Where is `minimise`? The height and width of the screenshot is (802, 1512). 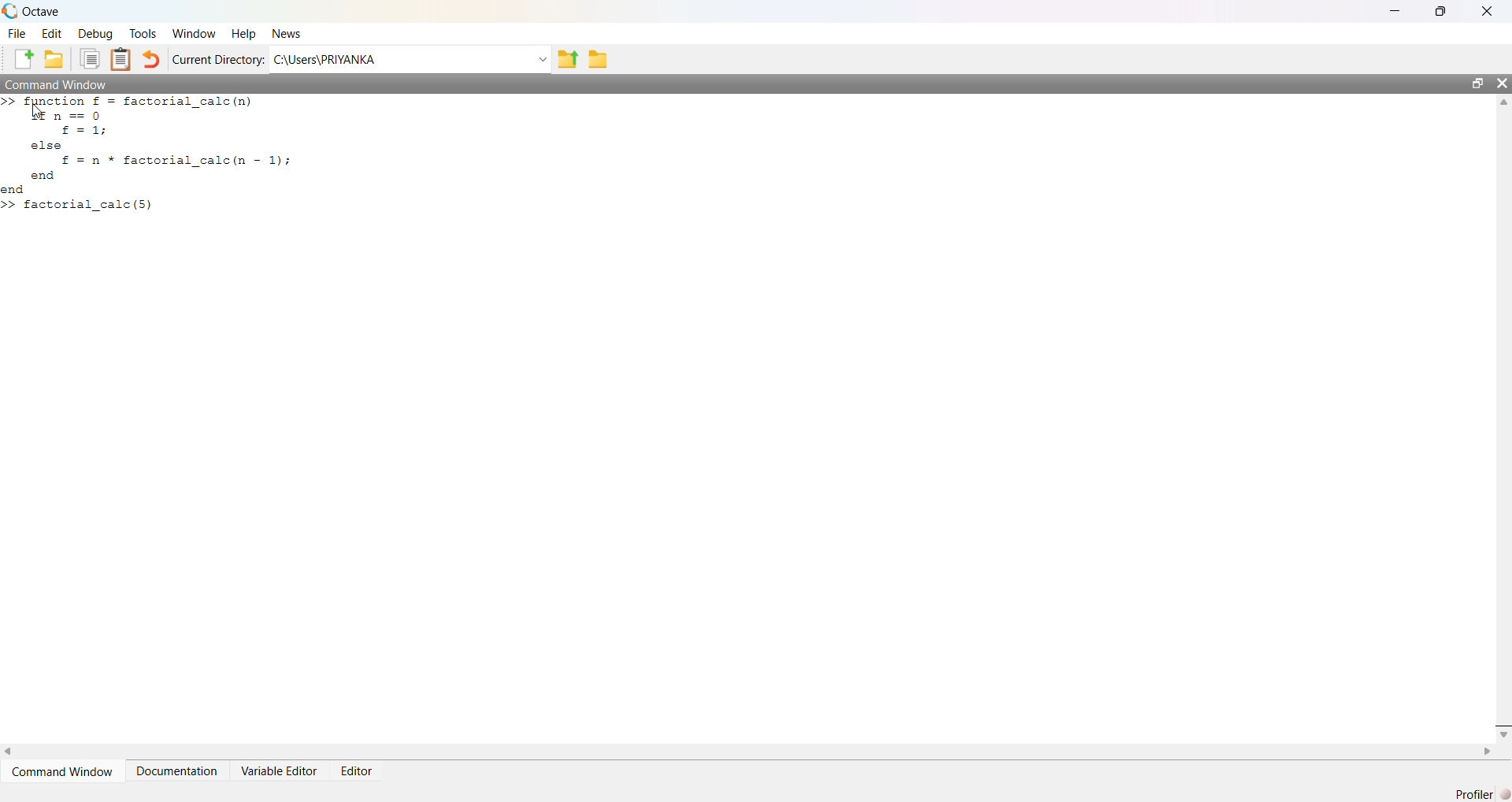 minimise is located at coordinates (1397, 9).